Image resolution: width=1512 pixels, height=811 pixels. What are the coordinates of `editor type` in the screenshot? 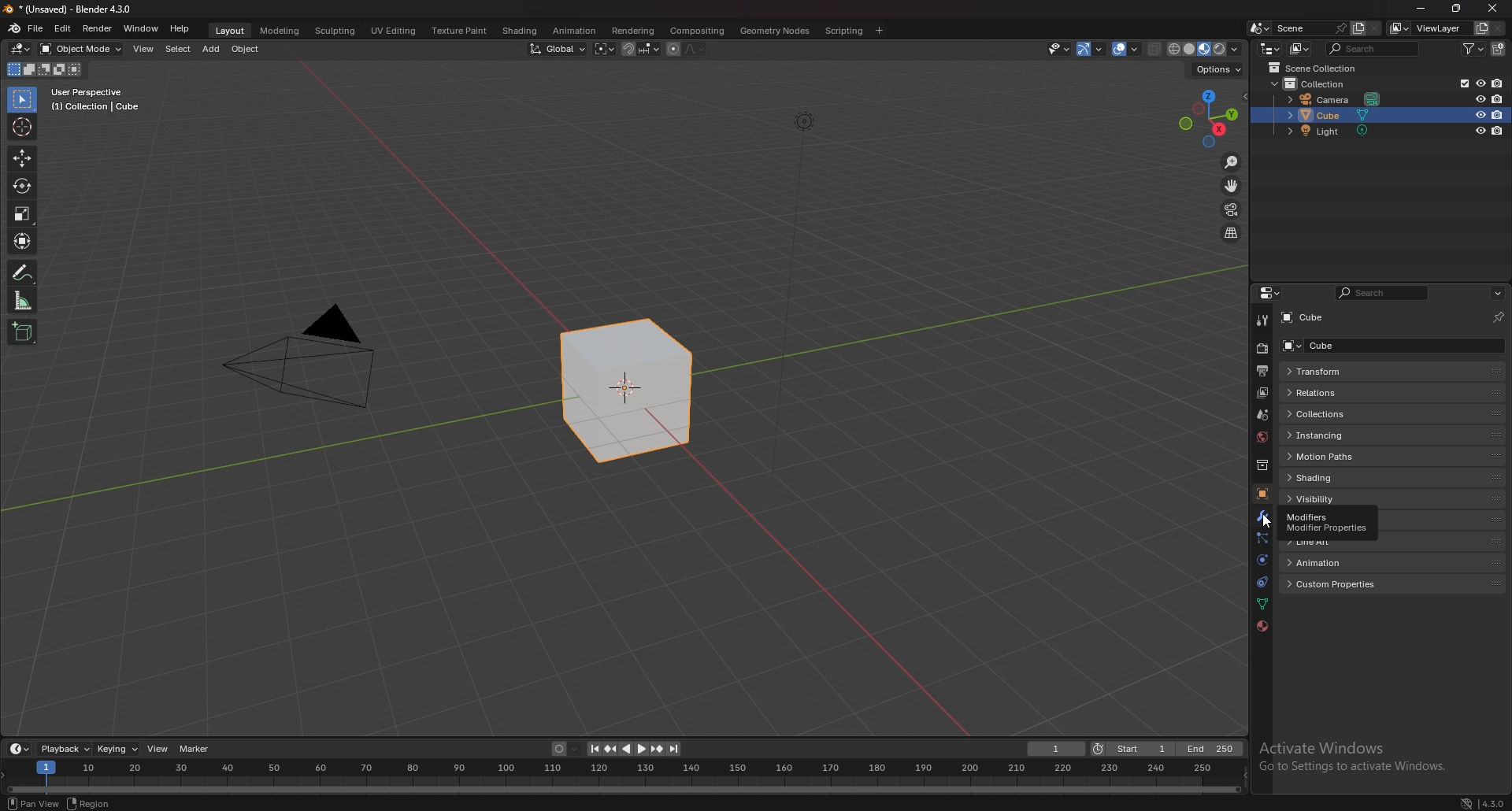 It's located at (1269, 49).